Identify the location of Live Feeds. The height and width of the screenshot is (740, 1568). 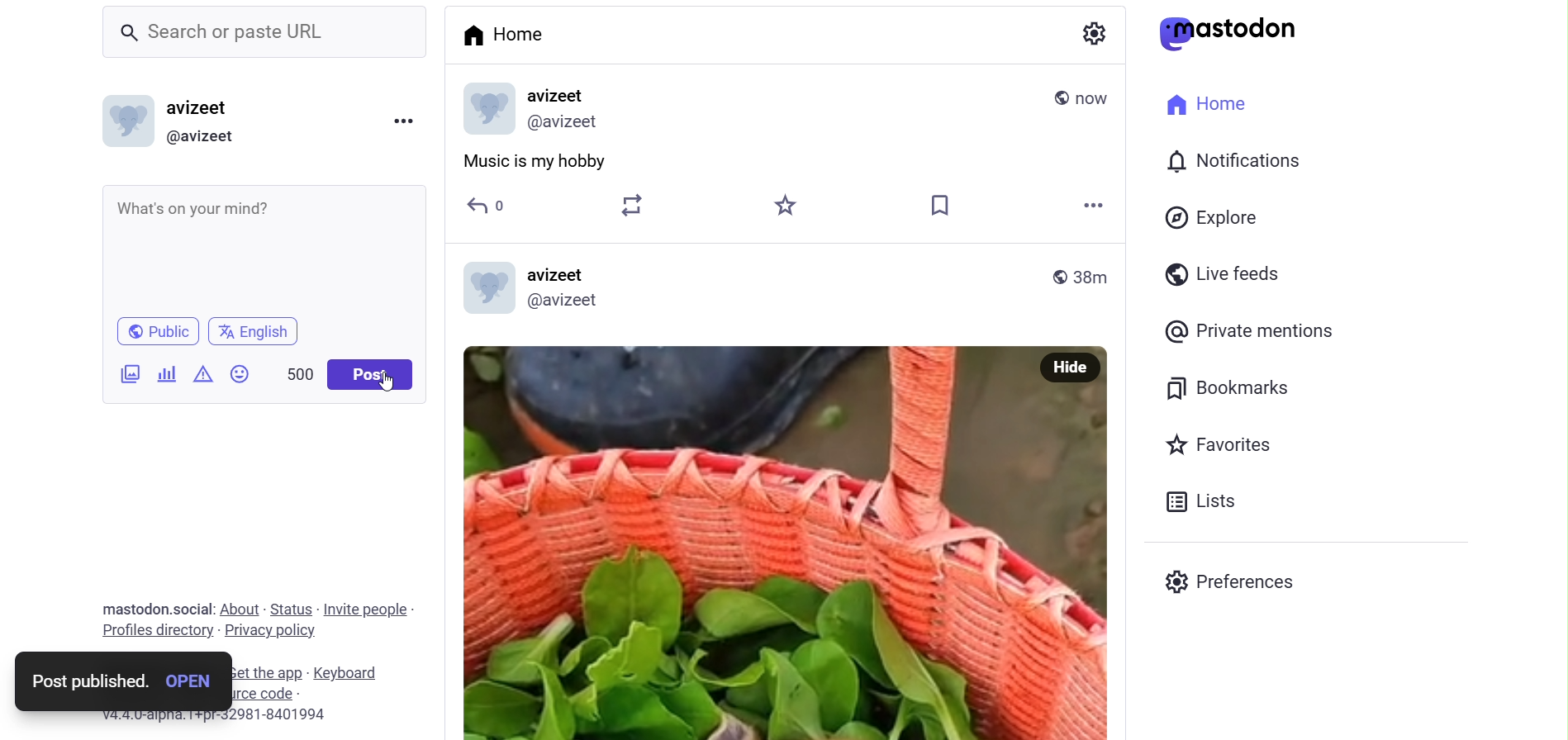
(1219, 274).